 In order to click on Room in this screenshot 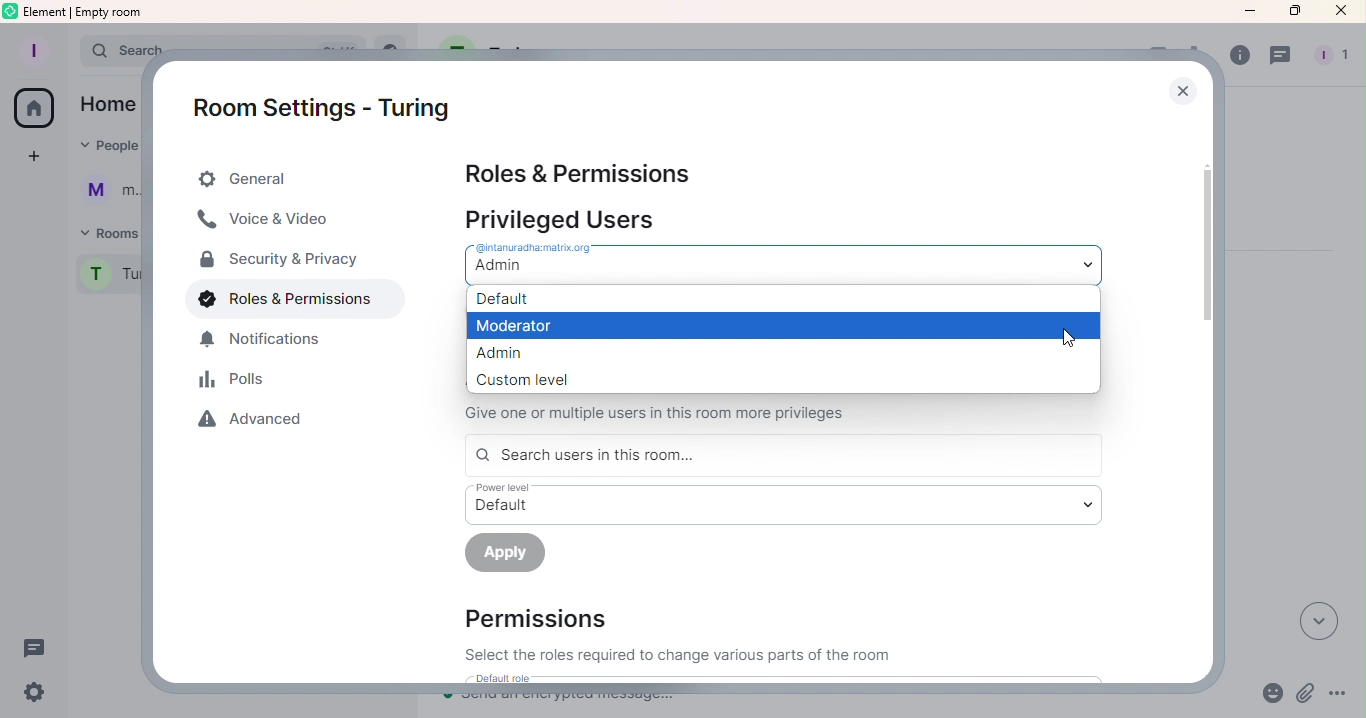, I will do `click(104, 278)`.